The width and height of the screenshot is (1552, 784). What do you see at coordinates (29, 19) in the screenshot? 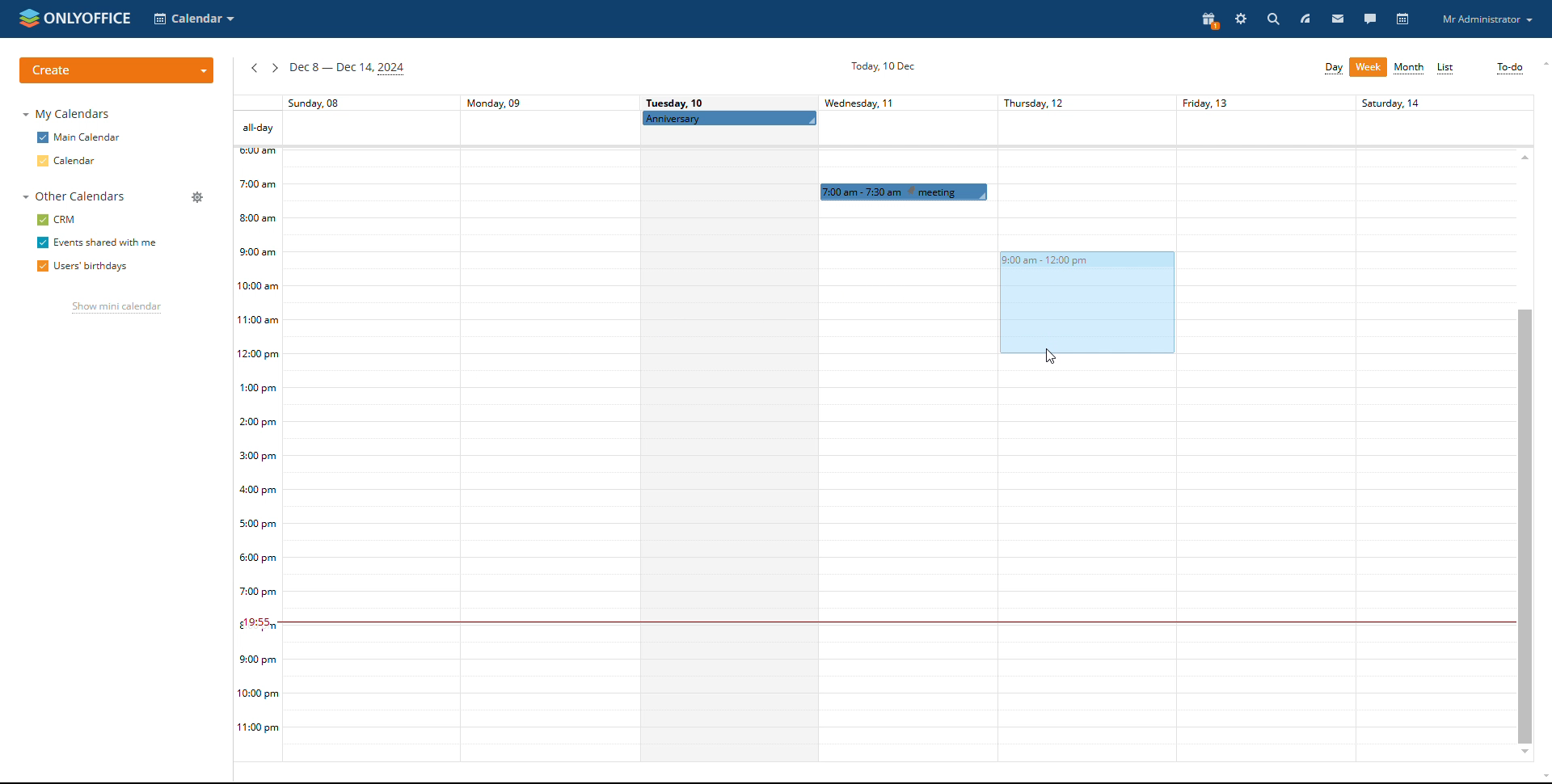
I see `onlyoffice logo` at bounding box center [29, 19].